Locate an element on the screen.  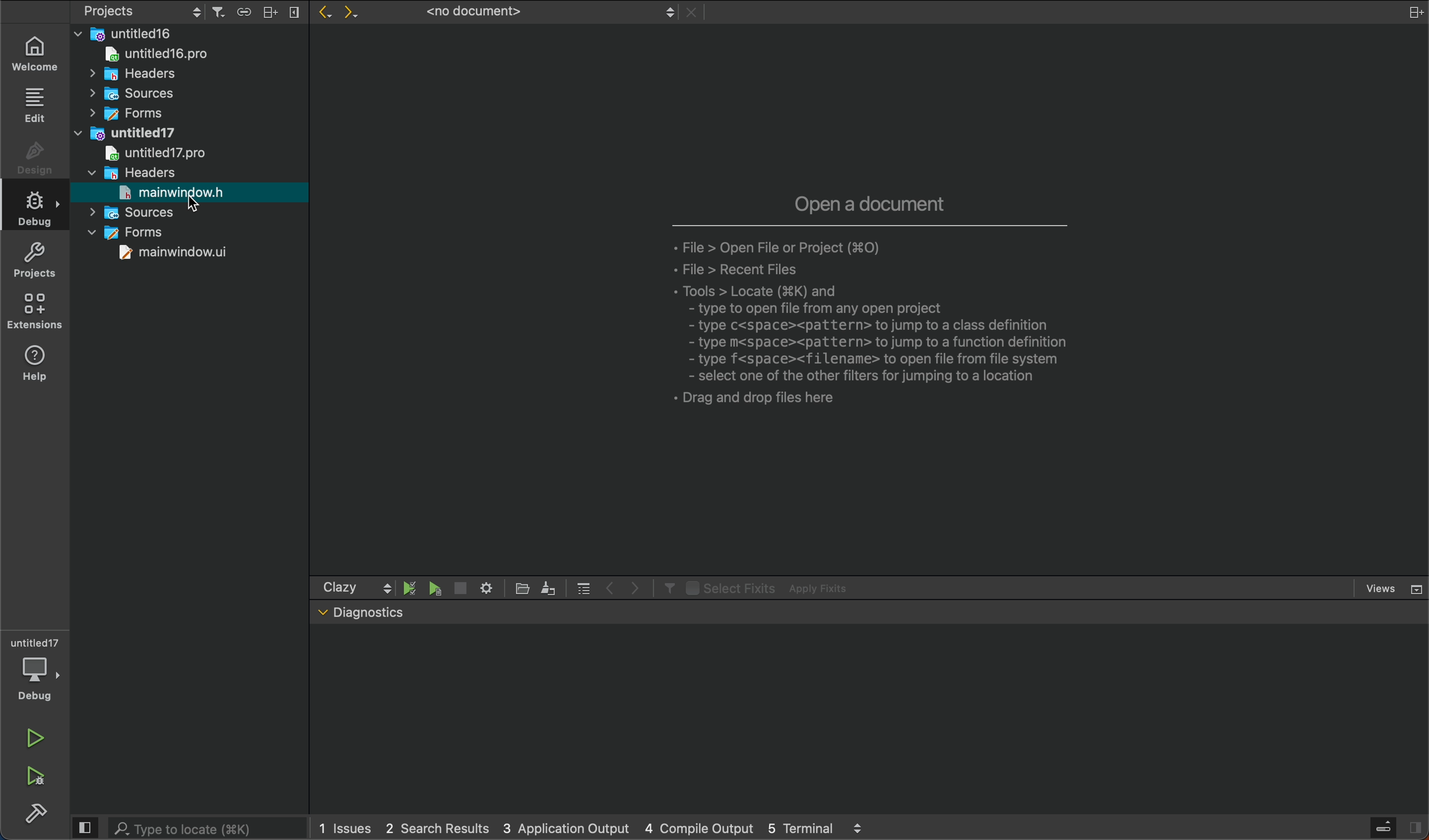
attach is located at coordinates (241, 11).